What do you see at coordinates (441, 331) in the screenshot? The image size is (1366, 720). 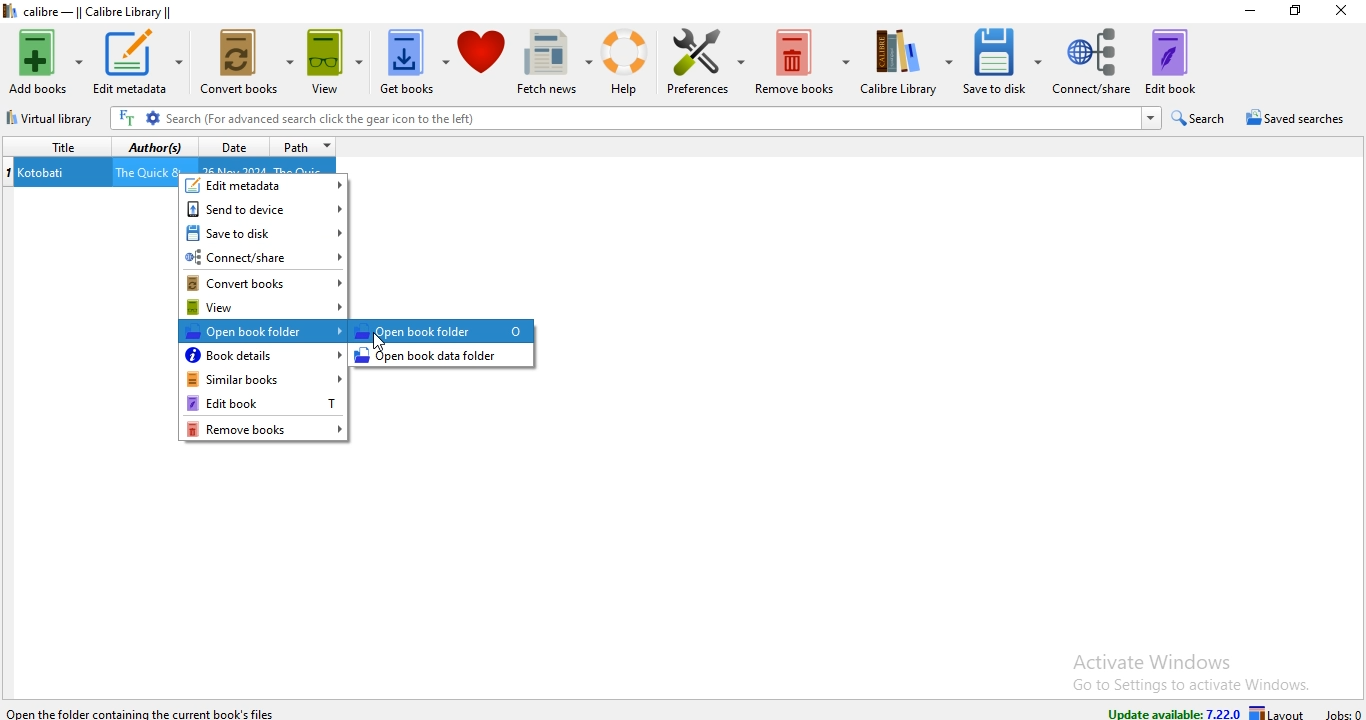 I see `Open book folder   0` at bounding box center [441, 331].